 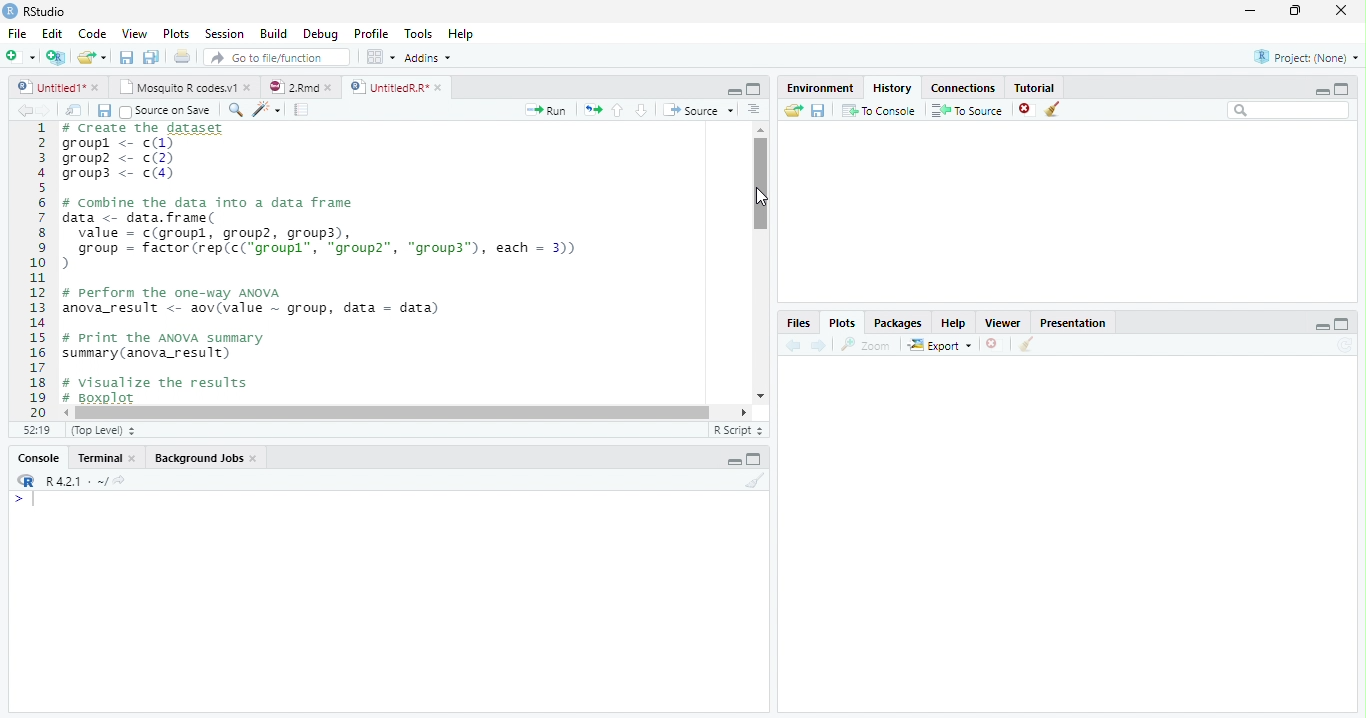 What do you see at coordinates (37, 268) in the screenshot?
I see `1` at bounding box center [37, 268].